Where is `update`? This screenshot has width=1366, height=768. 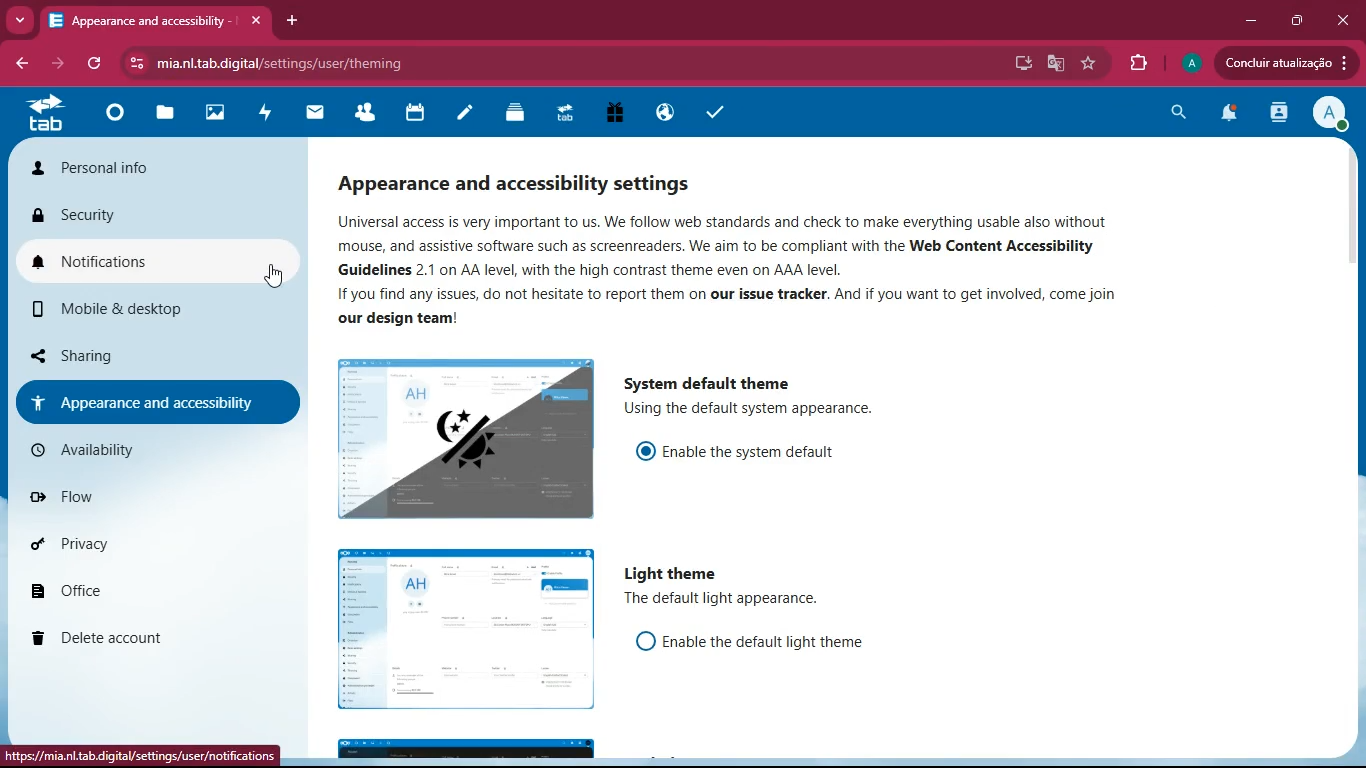 update is located at coordinates (1284, 63).